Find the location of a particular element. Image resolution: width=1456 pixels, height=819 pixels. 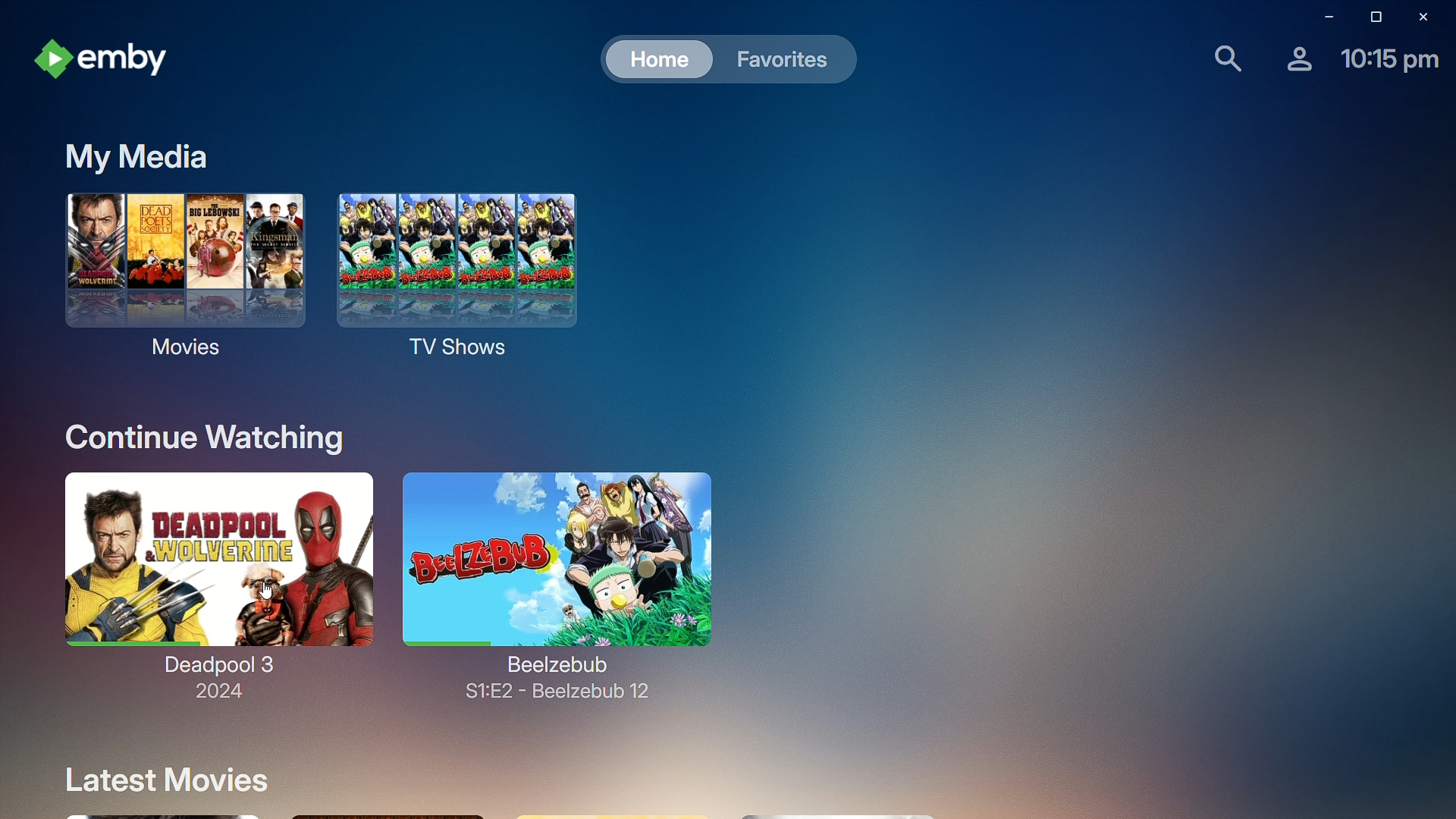

Favorites is located at coordinates (774, 58).